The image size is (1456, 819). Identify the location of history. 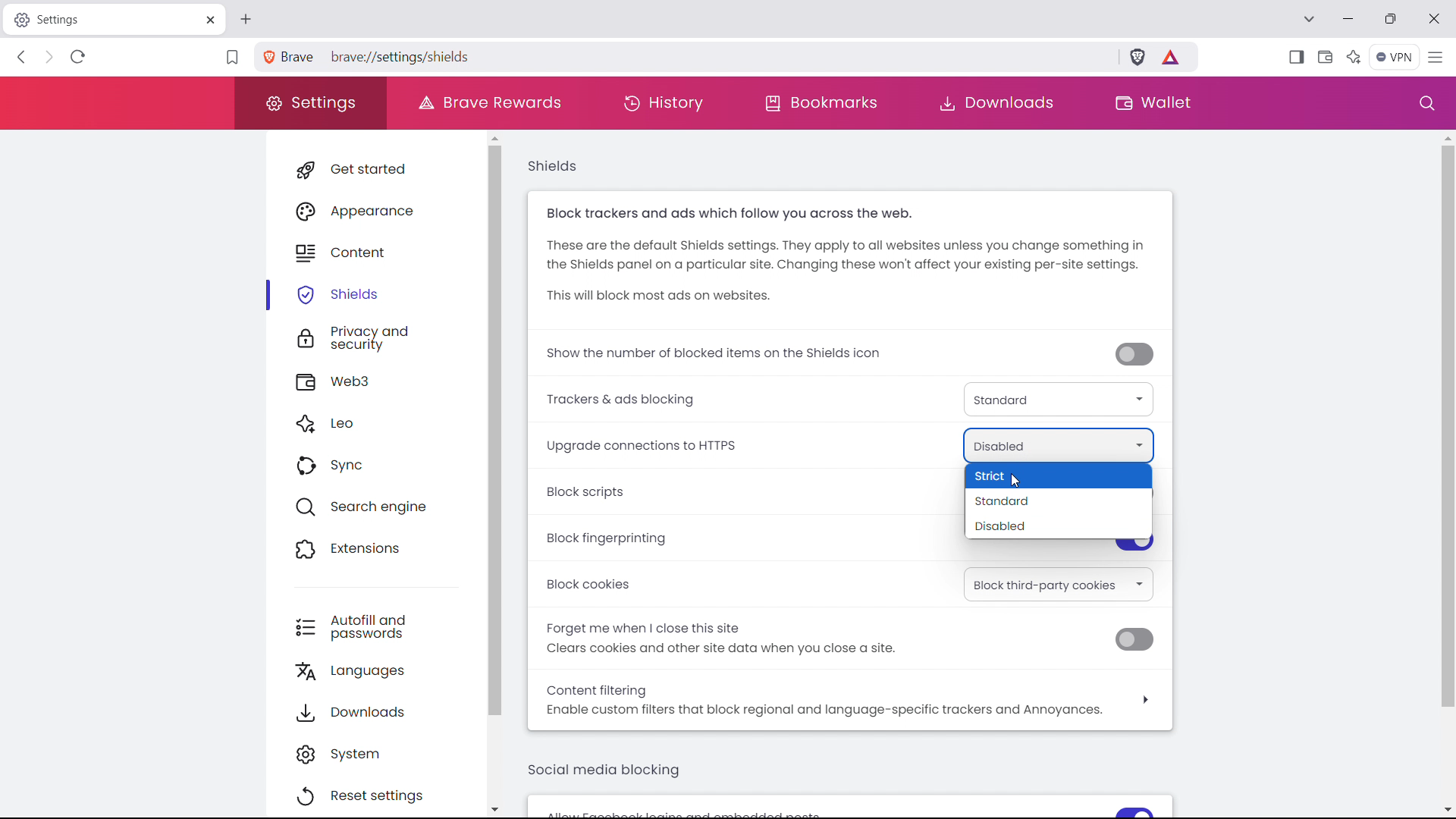
(663, 102).